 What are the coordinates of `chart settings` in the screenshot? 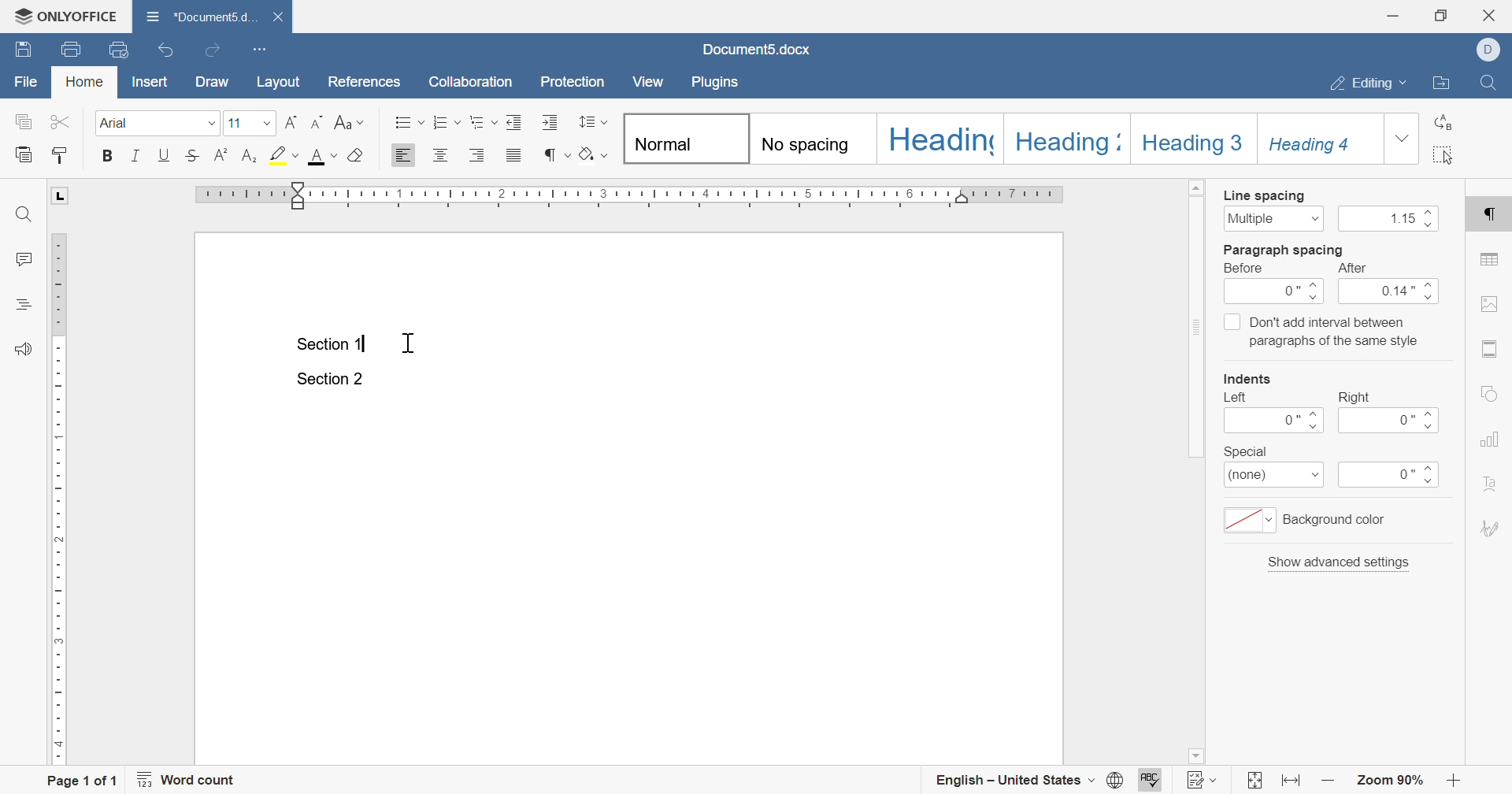 It's located at (1488, 439).